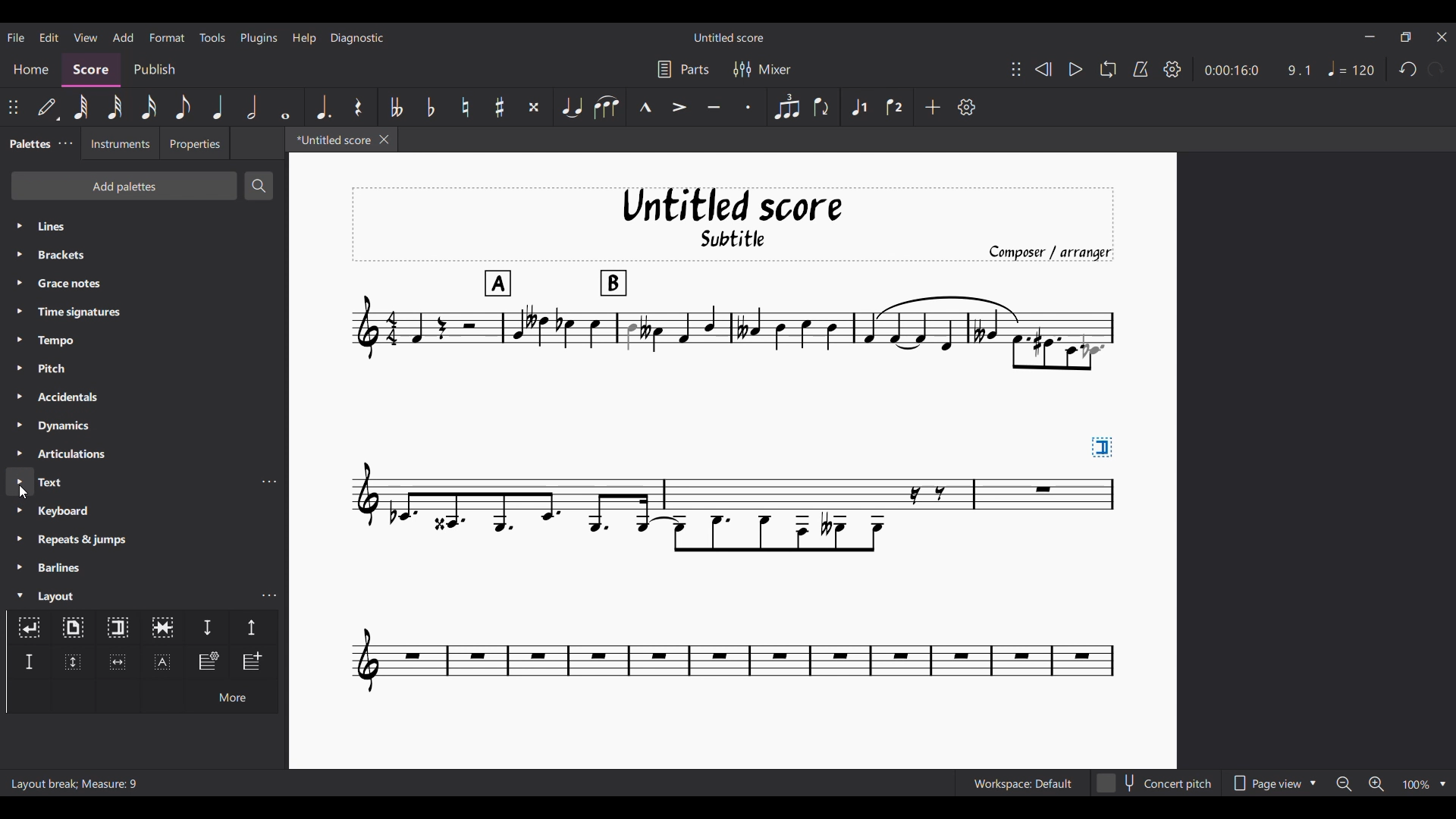  I want to click on Score, current section highlighted, so click(91, 70).